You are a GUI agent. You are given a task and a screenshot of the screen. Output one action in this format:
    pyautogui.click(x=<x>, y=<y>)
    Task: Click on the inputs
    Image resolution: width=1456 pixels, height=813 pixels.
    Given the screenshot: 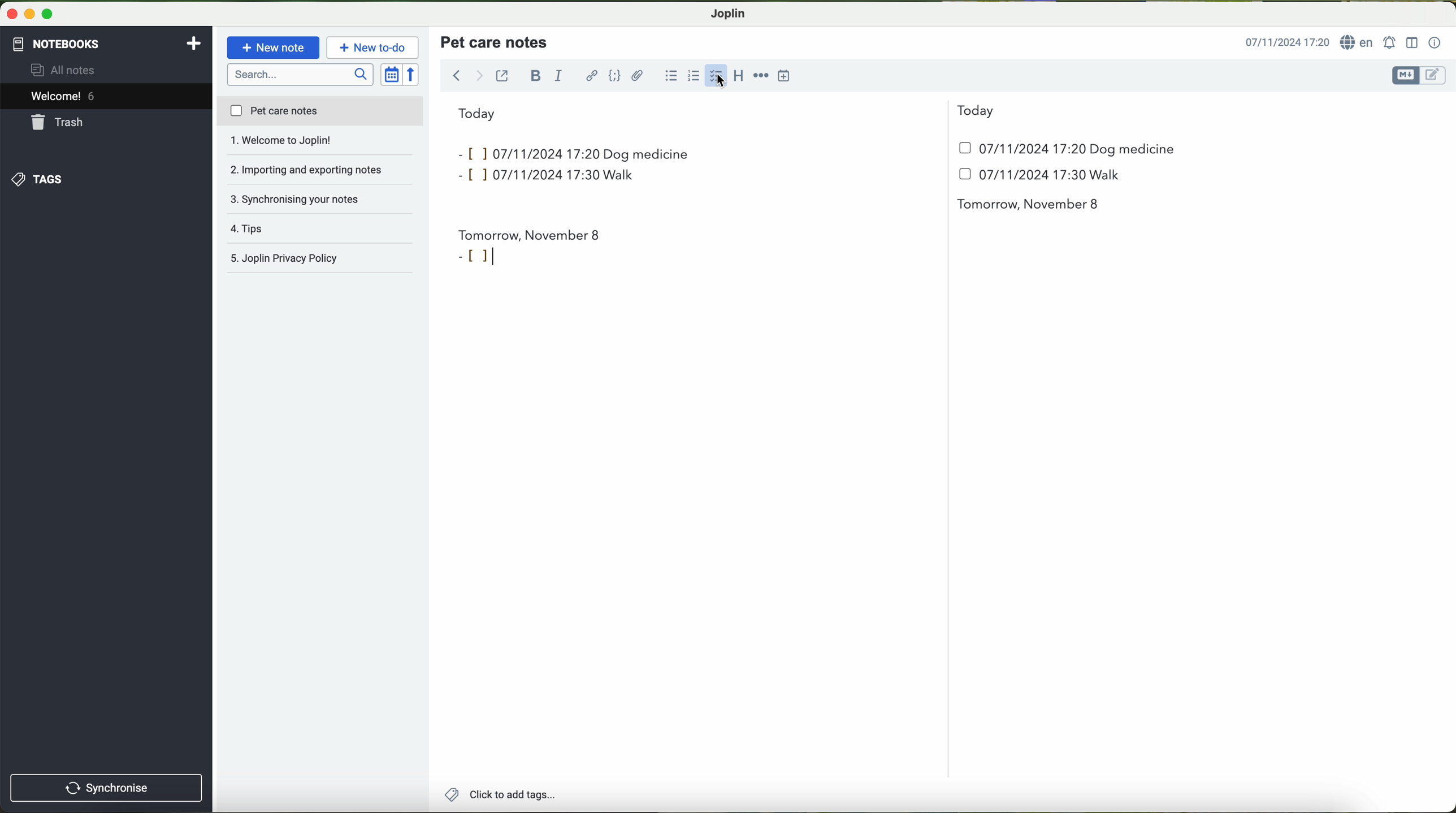 What is the action you would take?
    pyautogui.click(x=524, y=153)
    